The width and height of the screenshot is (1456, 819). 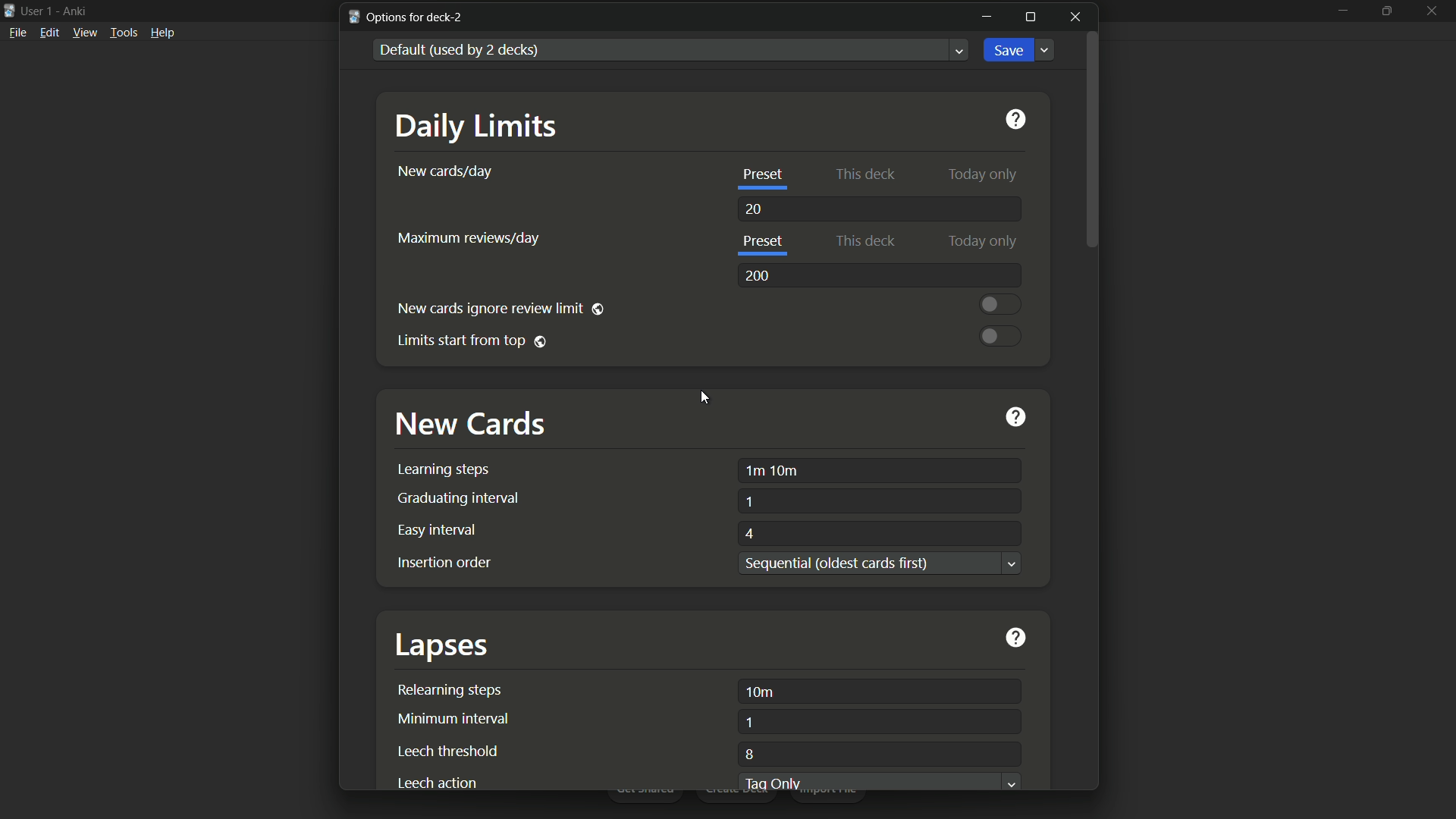 What do you see at coordinates (49, 33) in the screenshot?
I see `edit menu` at bounding box center [49, 33].